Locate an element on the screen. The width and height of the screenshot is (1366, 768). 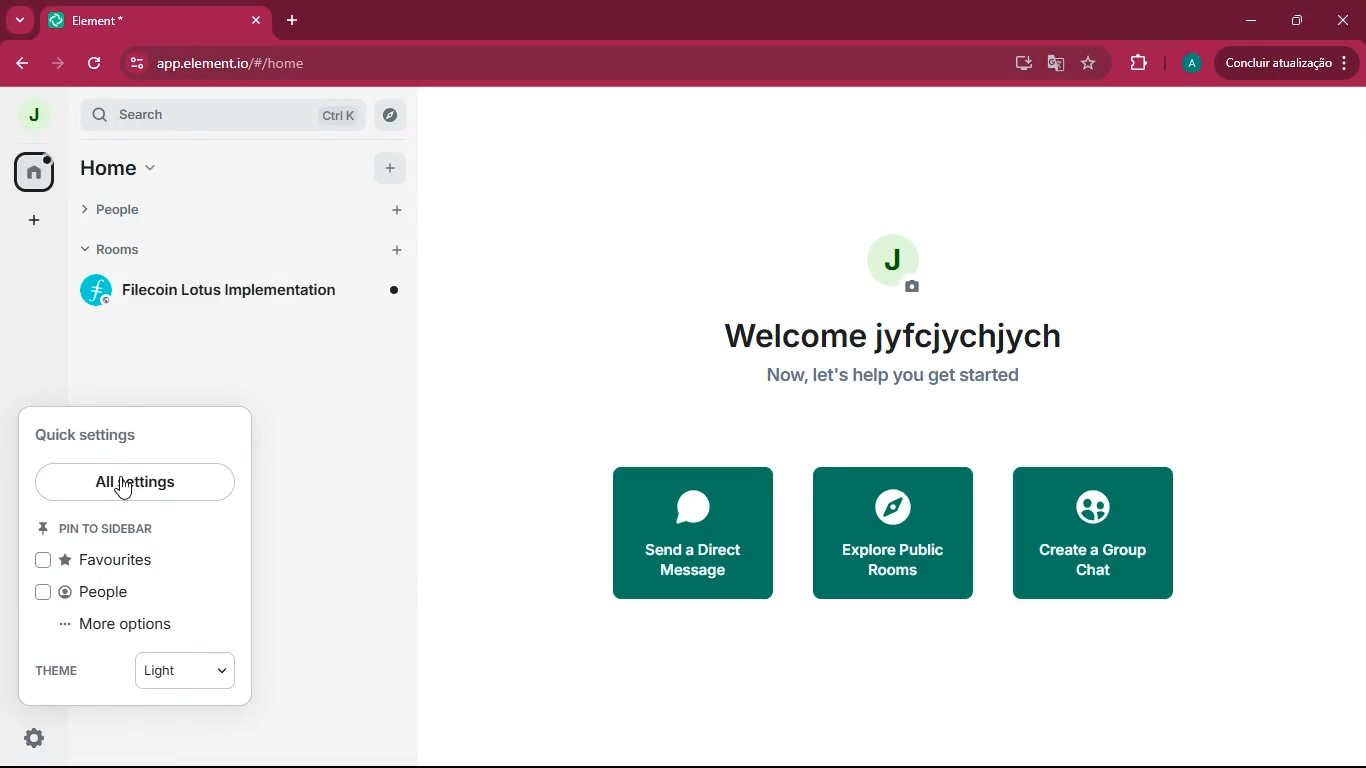
back is located at coordinates (23, 65).